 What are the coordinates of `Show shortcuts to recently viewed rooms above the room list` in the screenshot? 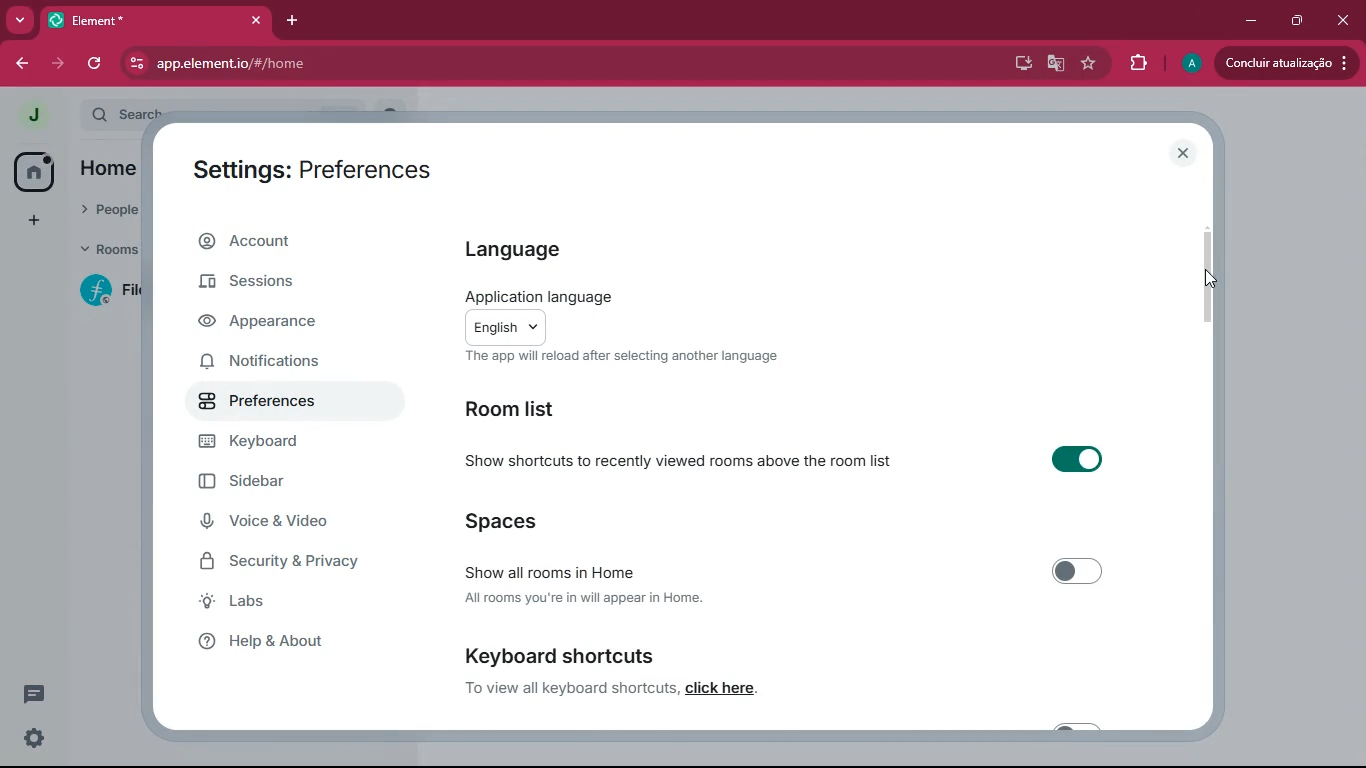 It's located at (789, 461).